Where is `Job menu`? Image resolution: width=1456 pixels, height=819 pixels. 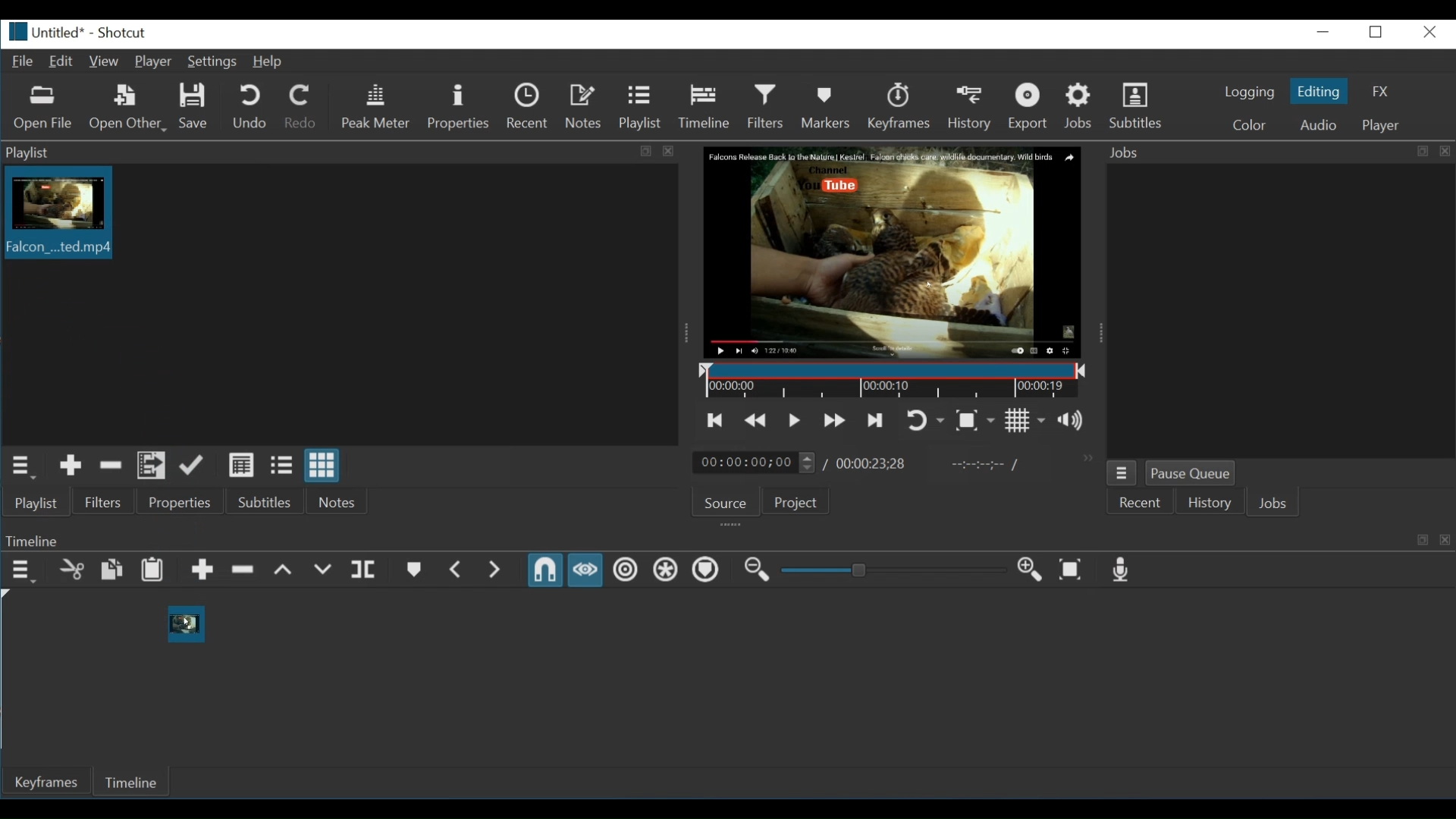
Job menu is located at coordinates (1122, 474).